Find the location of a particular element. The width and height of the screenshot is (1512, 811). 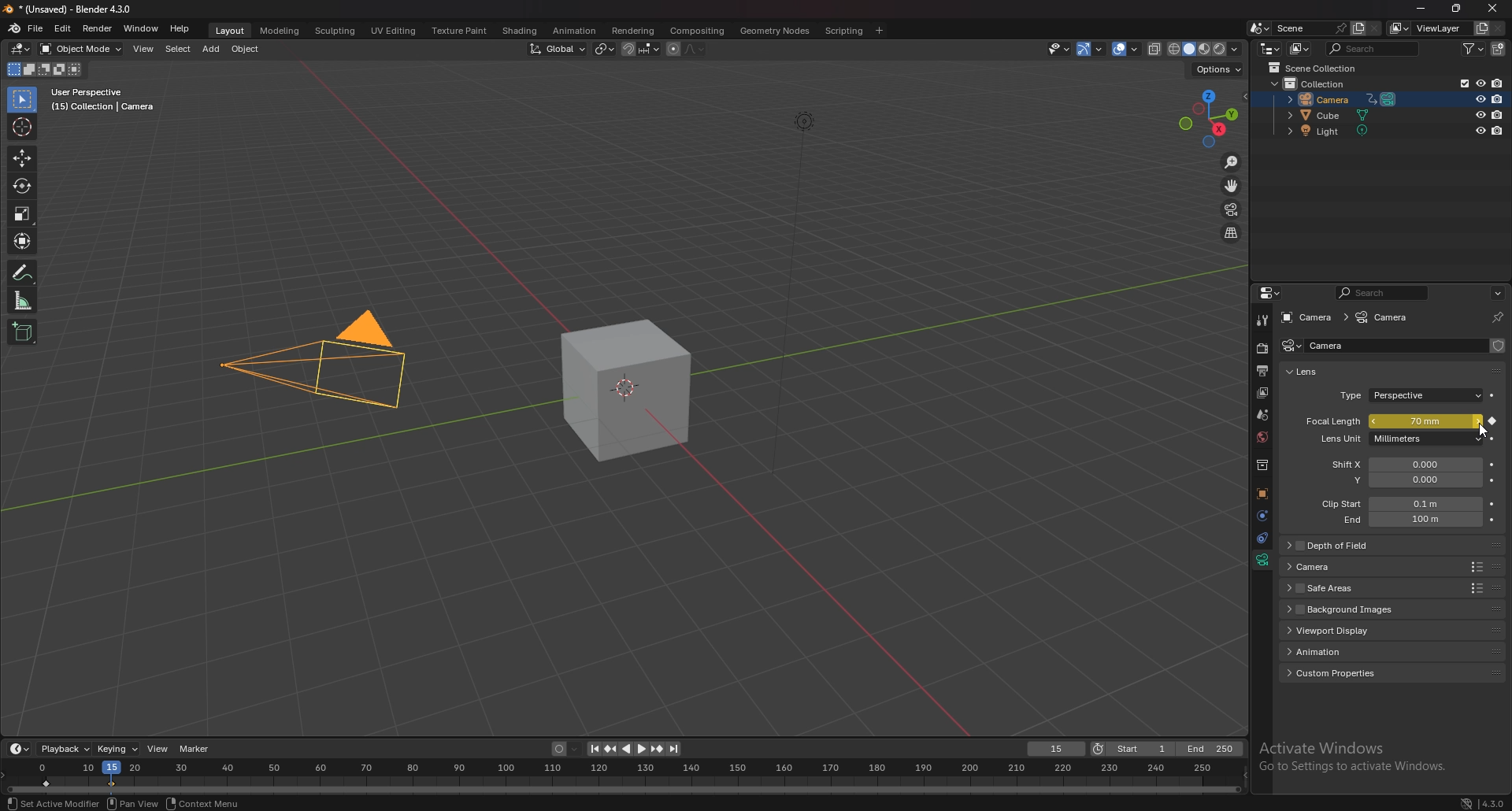

transform orientation is located at coordinates (557, 49).